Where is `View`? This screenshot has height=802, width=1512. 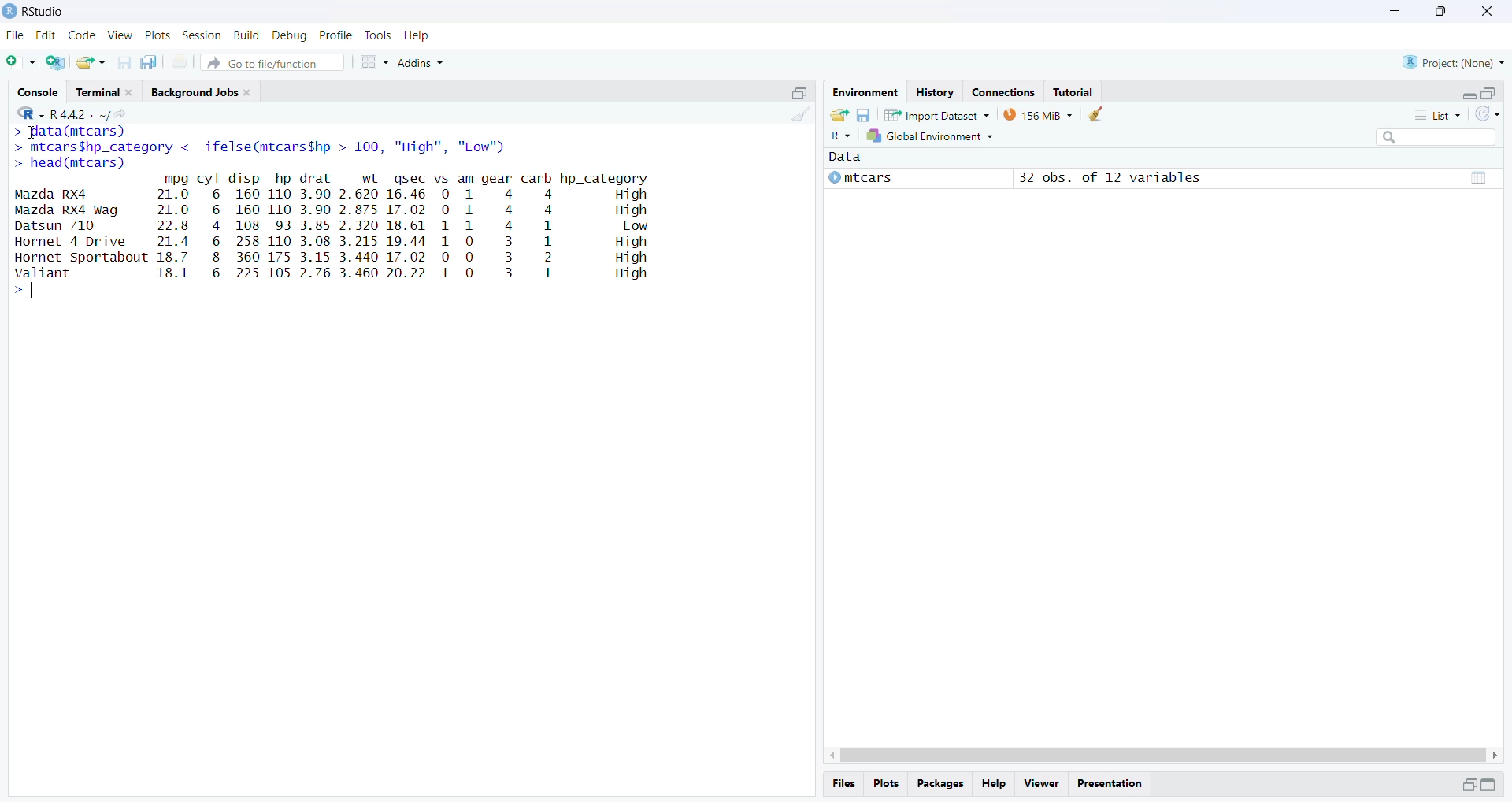 View is located at coordinates (119, 35).